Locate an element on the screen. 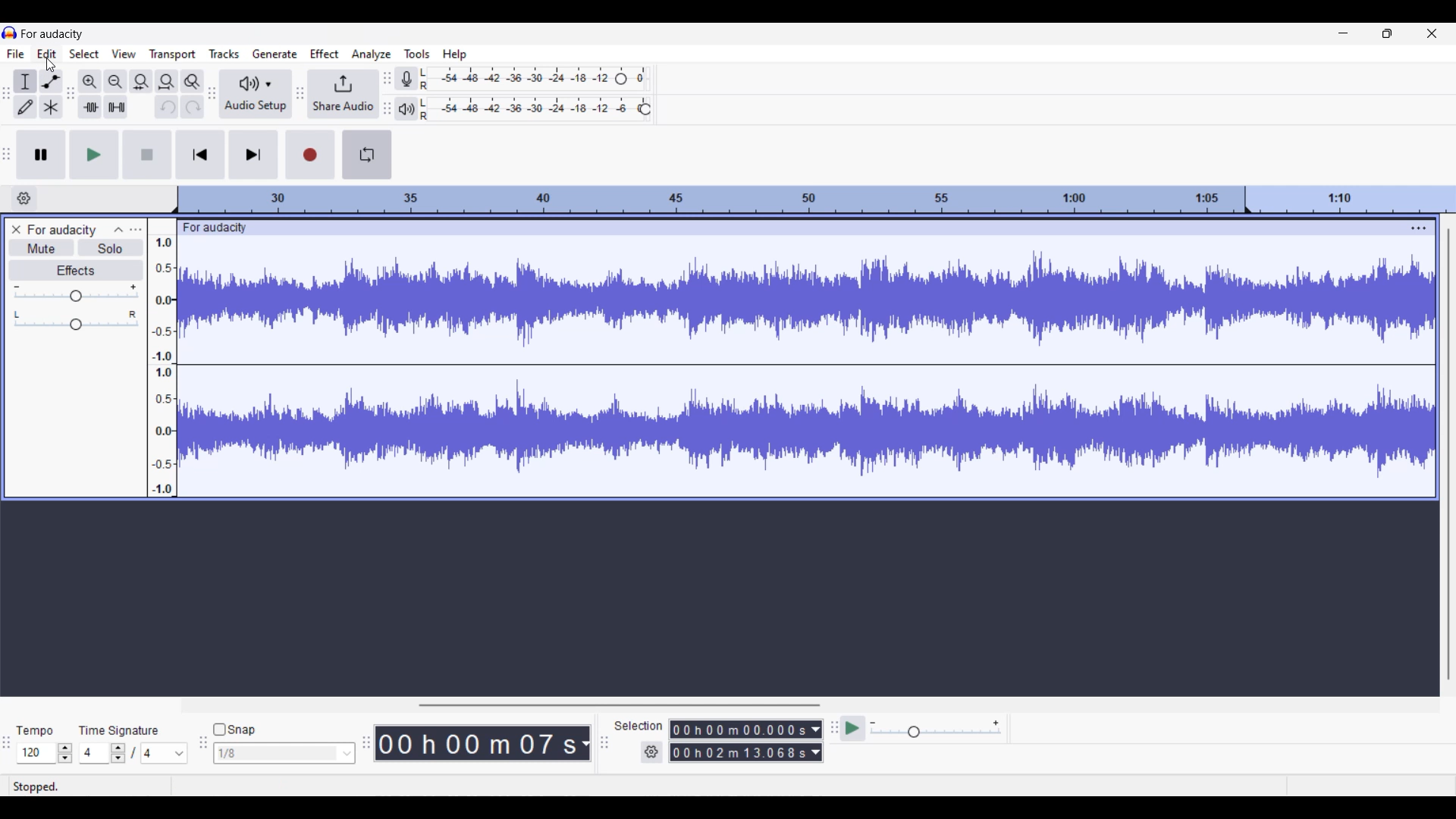 This screenshot has height=819, width=1456. Enable looping is located at coordinates (367, 155).